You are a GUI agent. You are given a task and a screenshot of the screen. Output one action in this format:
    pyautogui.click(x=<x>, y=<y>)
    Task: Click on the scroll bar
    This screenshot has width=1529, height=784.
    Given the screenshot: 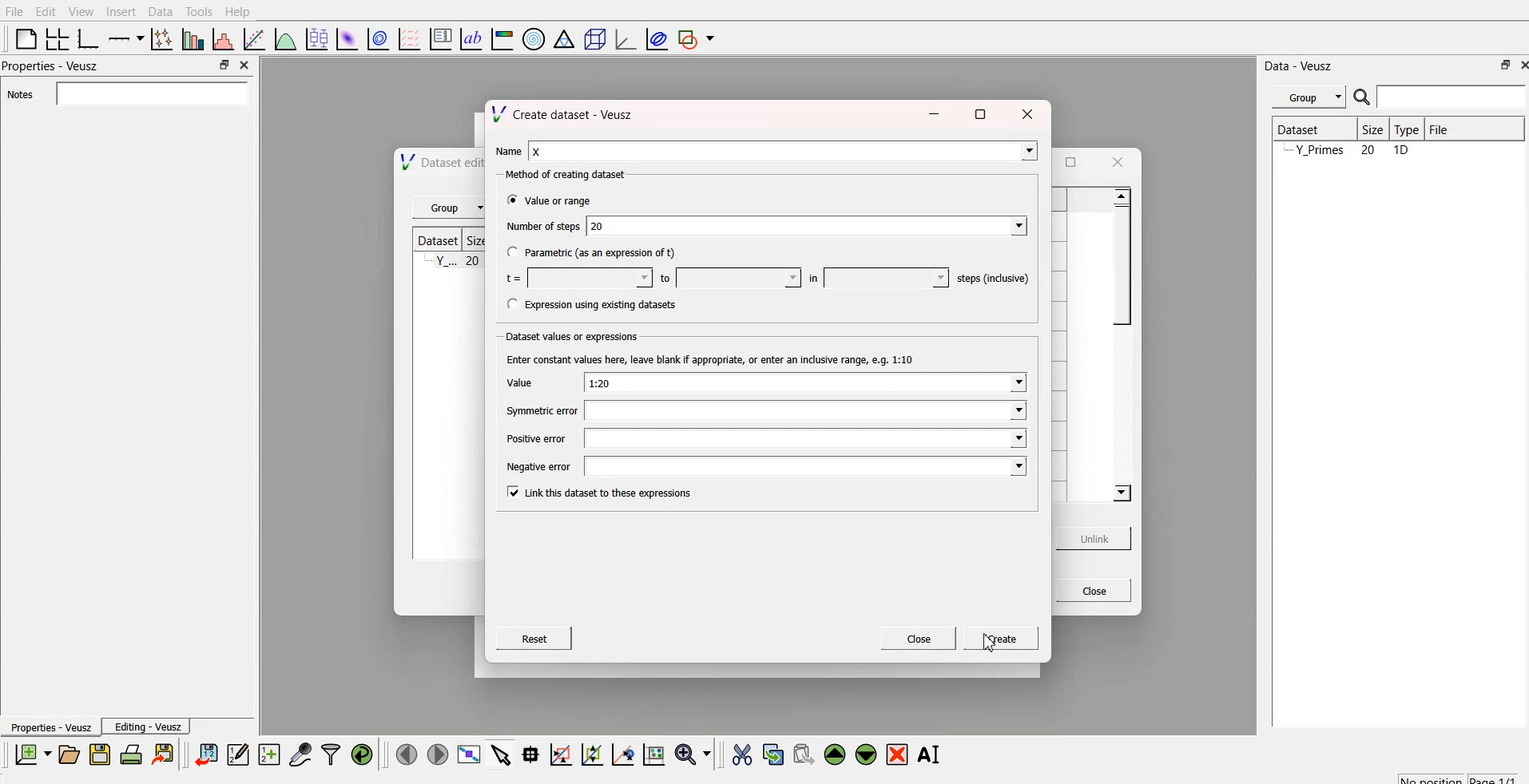 What is the action you would take?
    pyautogui.click(x=1120, y=259)
    